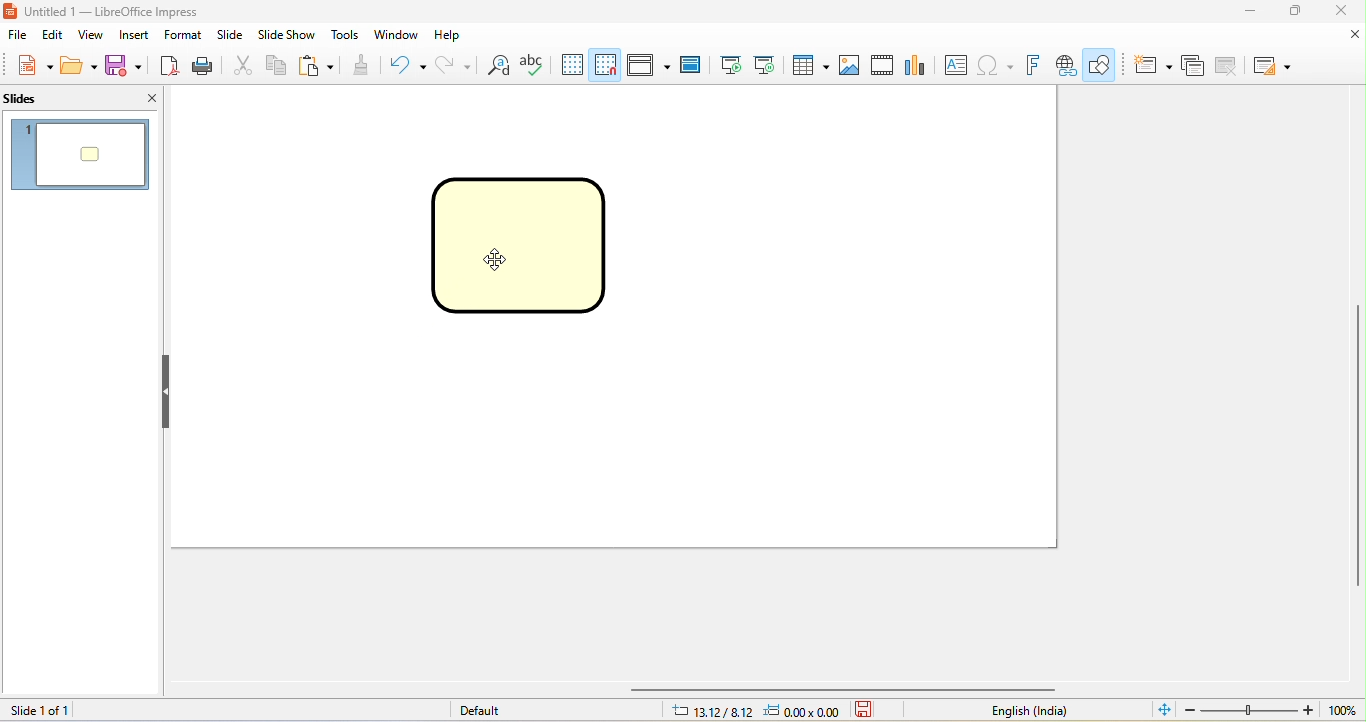 The image size is (1366, 722). What do you see at coordinates (10, 11) in the screenshot?
I see `libreoffice impress logo` at bounding box center [10, 11].